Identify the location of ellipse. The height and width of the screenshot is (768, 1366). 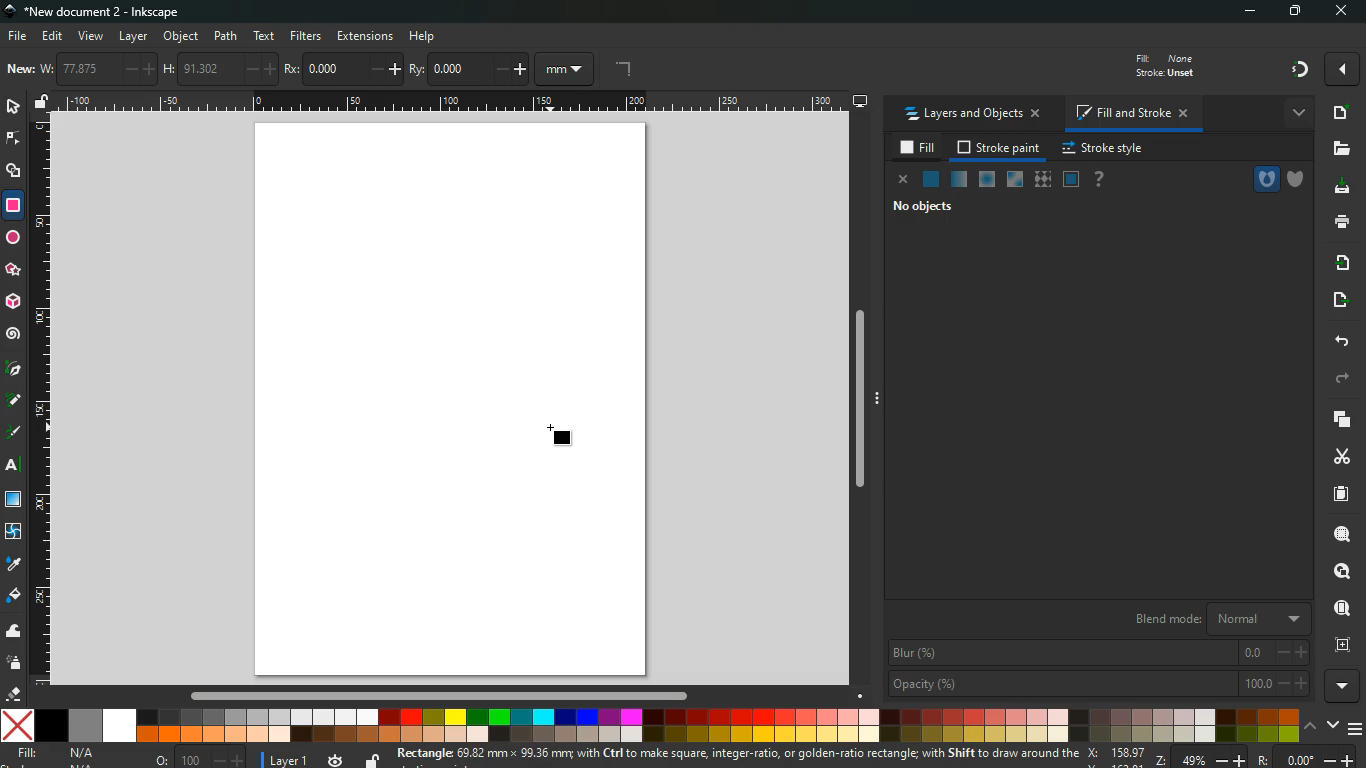
(11, 236).